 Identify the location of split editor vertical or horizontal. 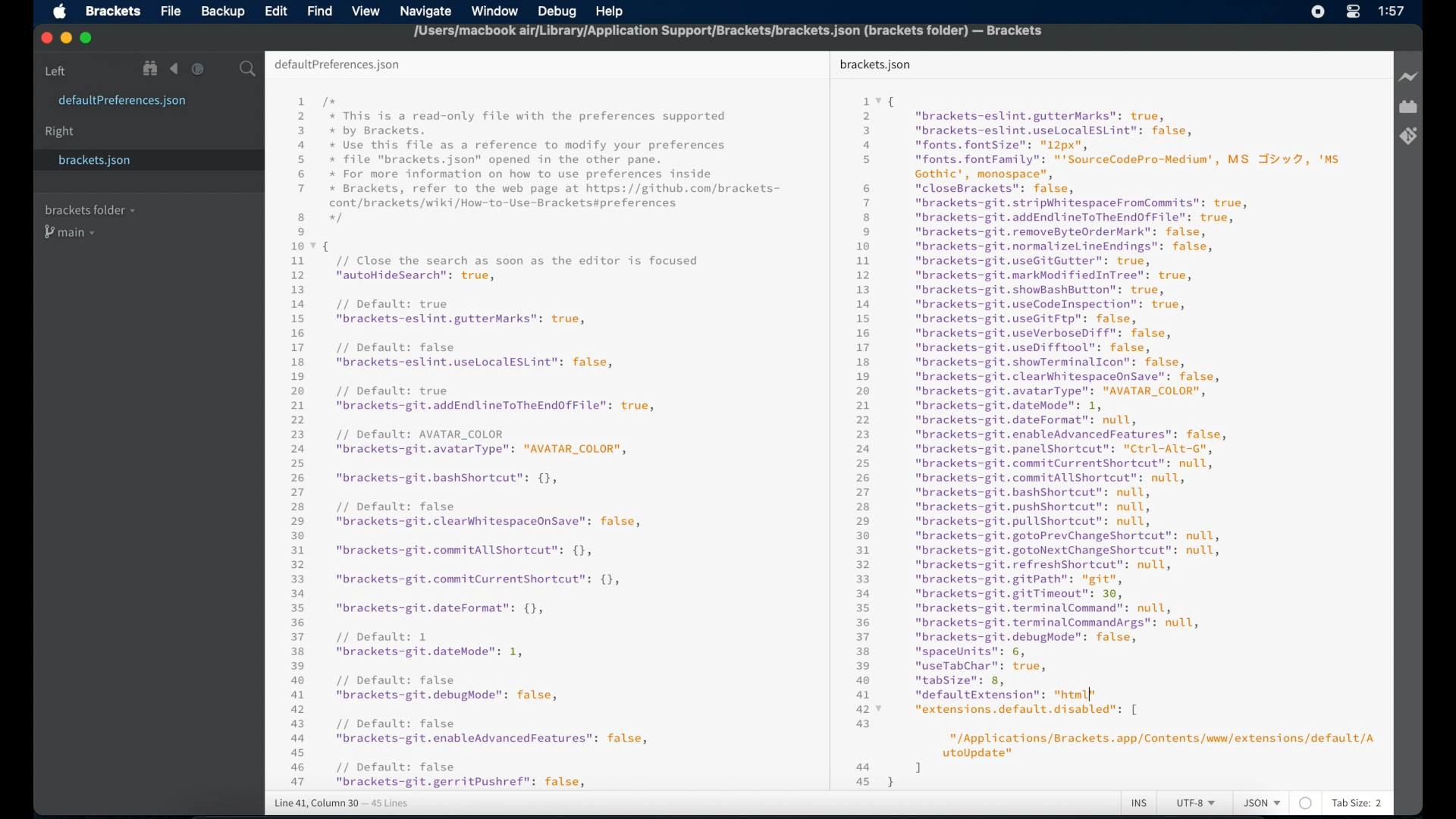
(222, 69).